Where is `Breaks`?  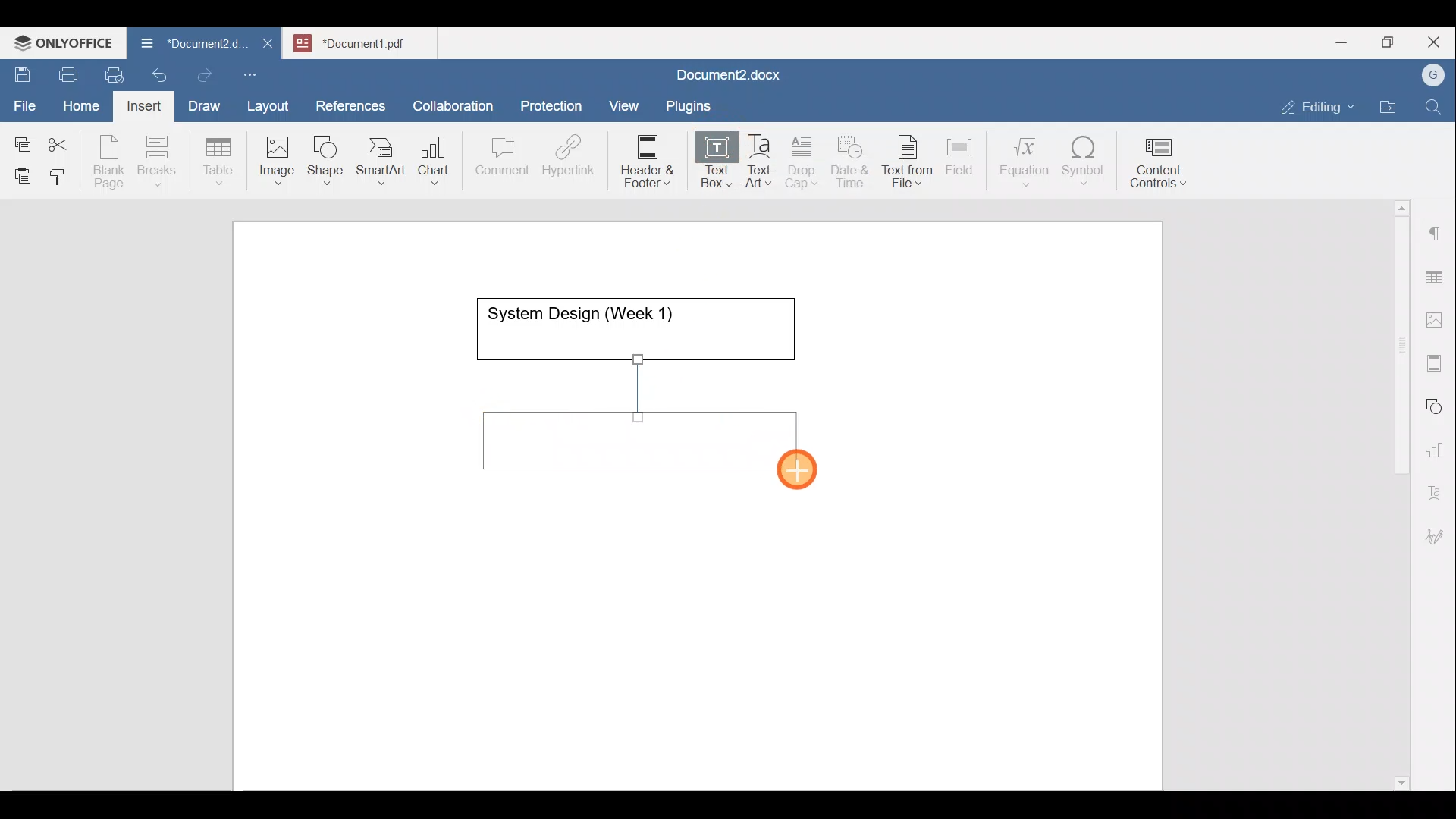 Breaks is located at coordinates (156, 162).